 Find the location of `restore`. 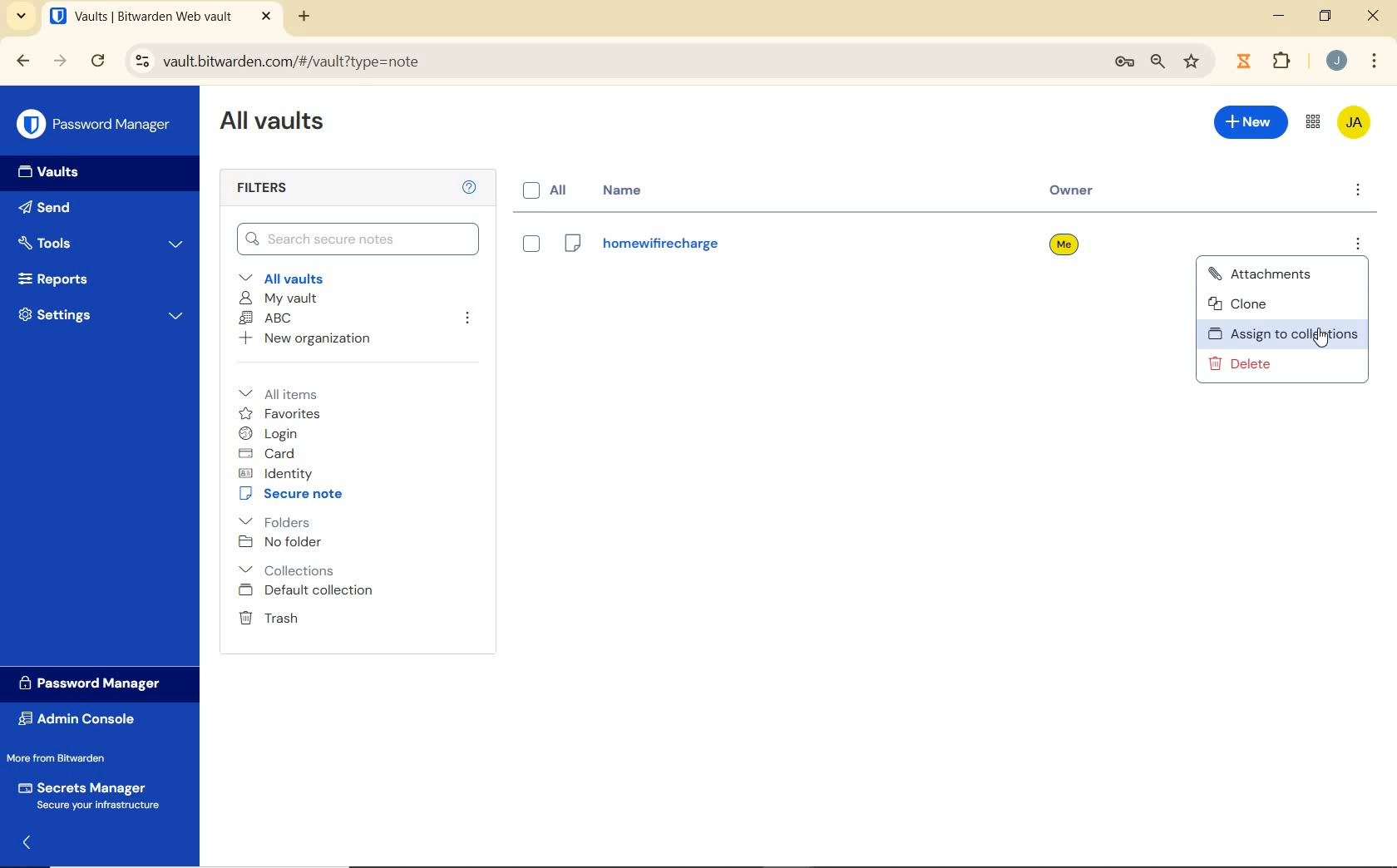

restore is located at coordinates (1325, 16).